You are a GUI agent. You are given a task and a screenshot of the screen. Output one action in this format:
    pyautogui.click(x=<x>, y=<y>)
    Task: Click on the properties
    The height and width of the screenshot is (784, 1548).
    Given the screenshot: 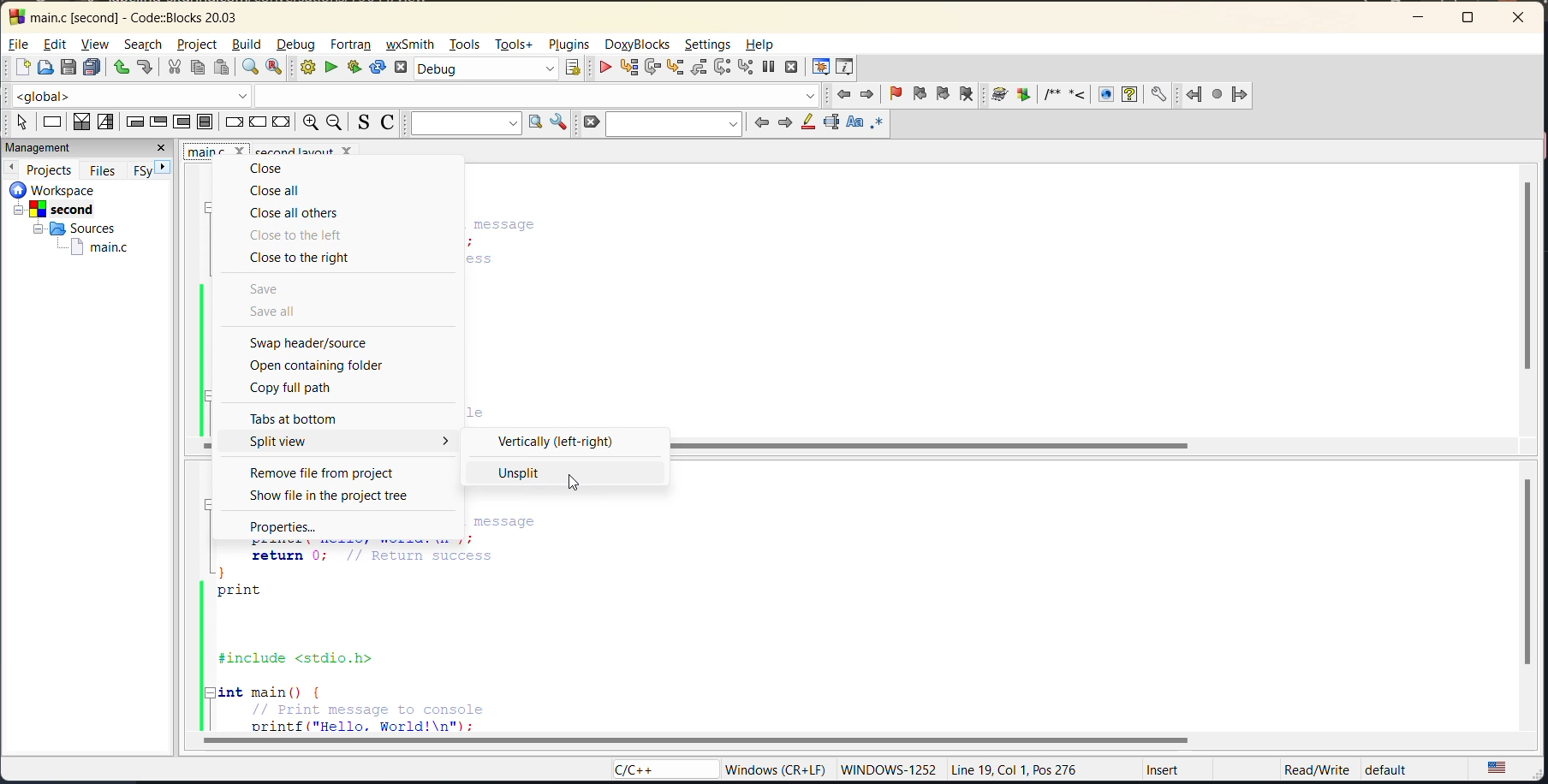 What is the action you would take?
    pyautogui.click(x=283, y=526)
    